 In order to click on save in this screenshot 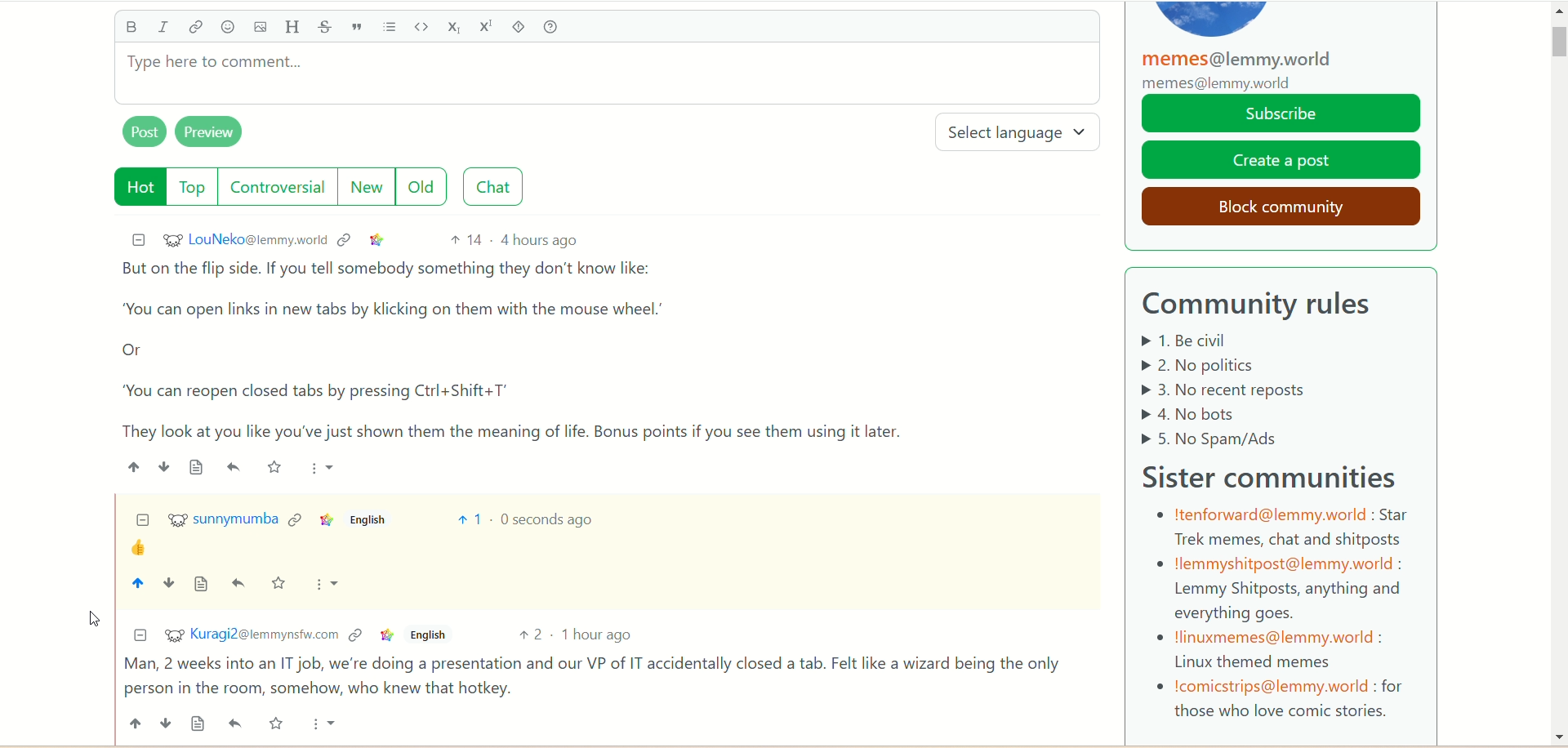, I will do `click(278, 723)`.